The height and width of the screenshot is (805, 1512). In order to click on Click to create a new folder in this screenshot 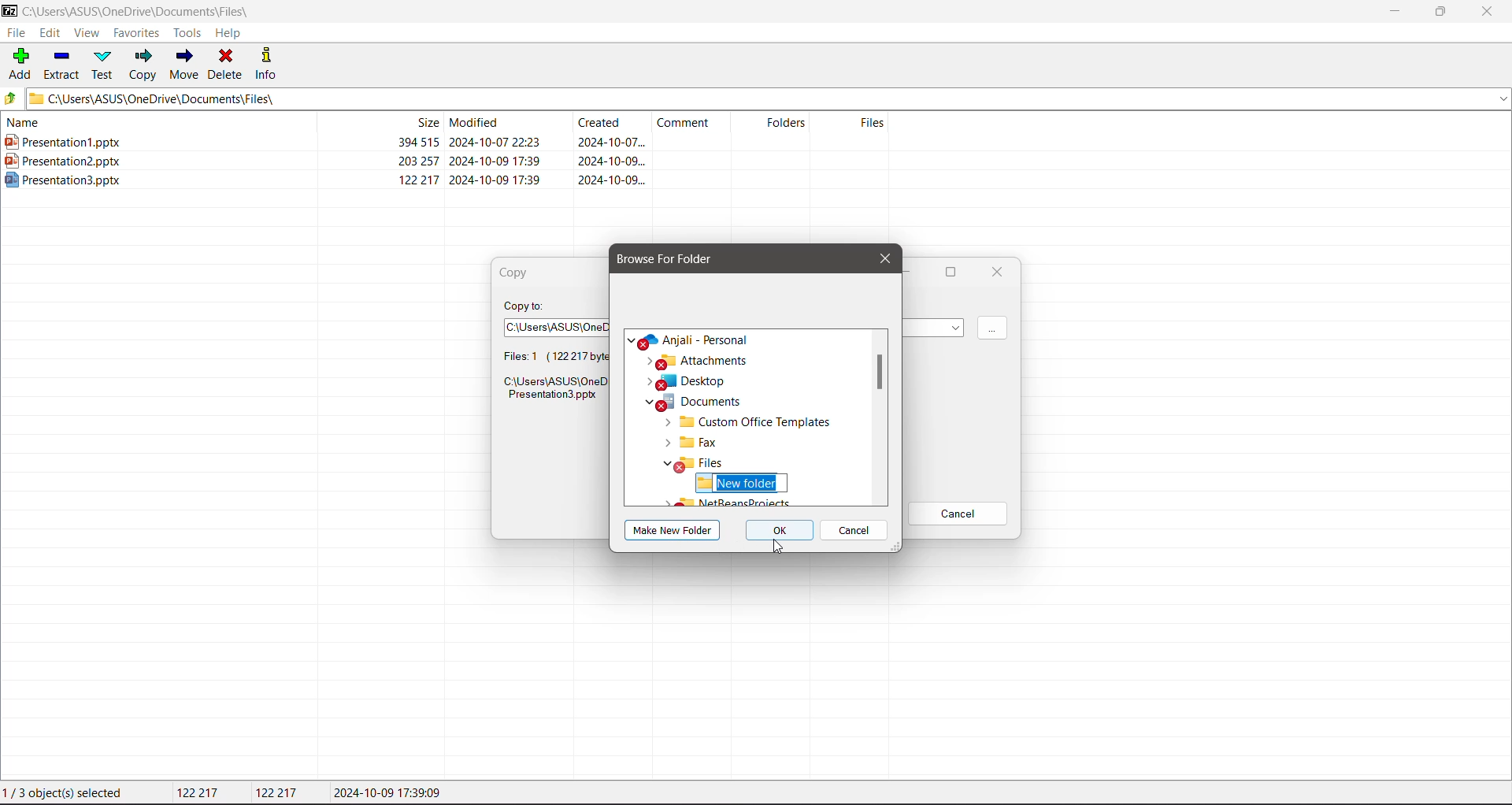, I will do `click(674, 530)`.